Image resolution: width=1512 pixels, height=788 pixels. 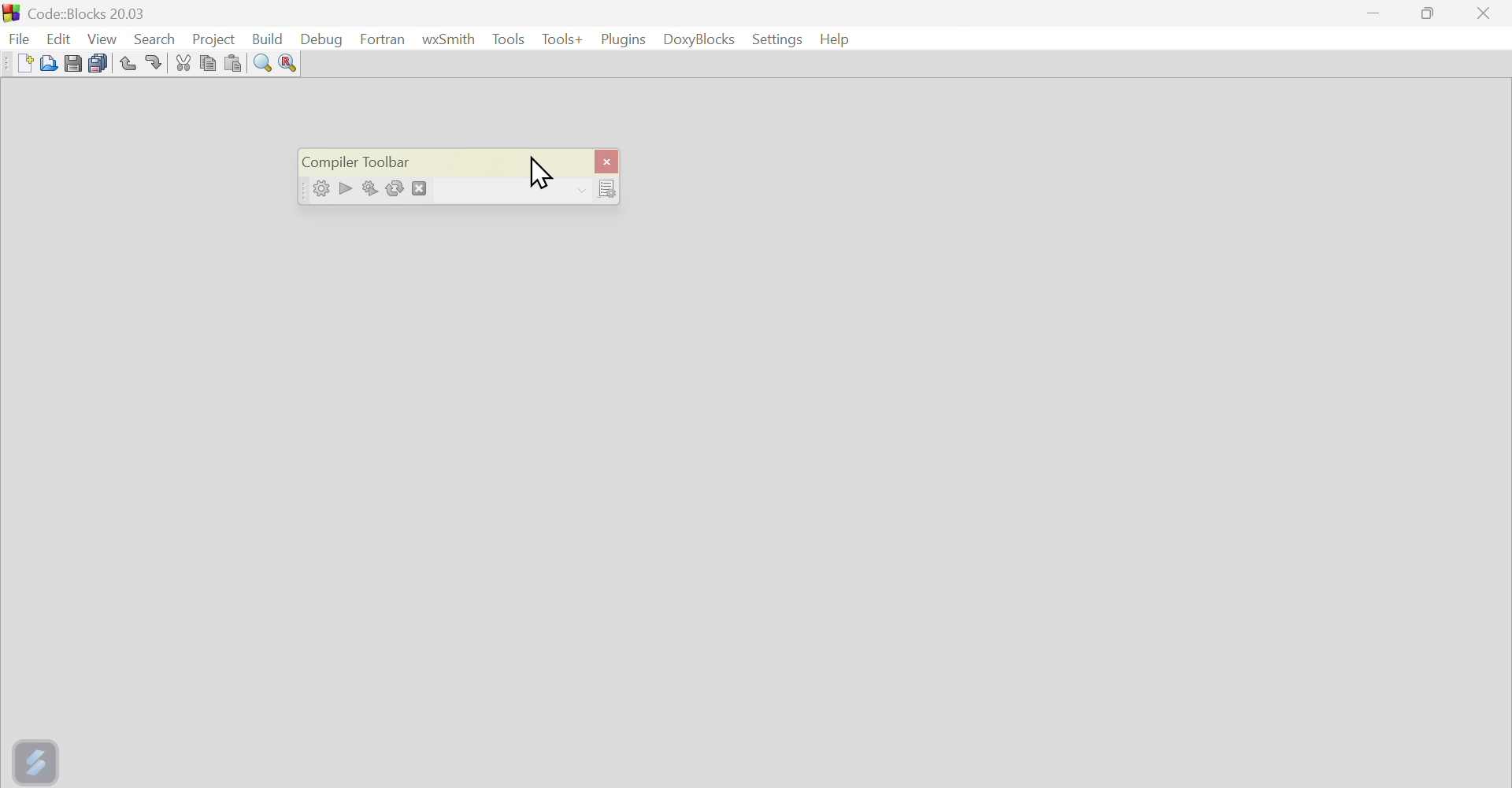 What do you see at coordinates (774, 39) in the screenshot?
I see `Settings` at bounding box center [774, 39].